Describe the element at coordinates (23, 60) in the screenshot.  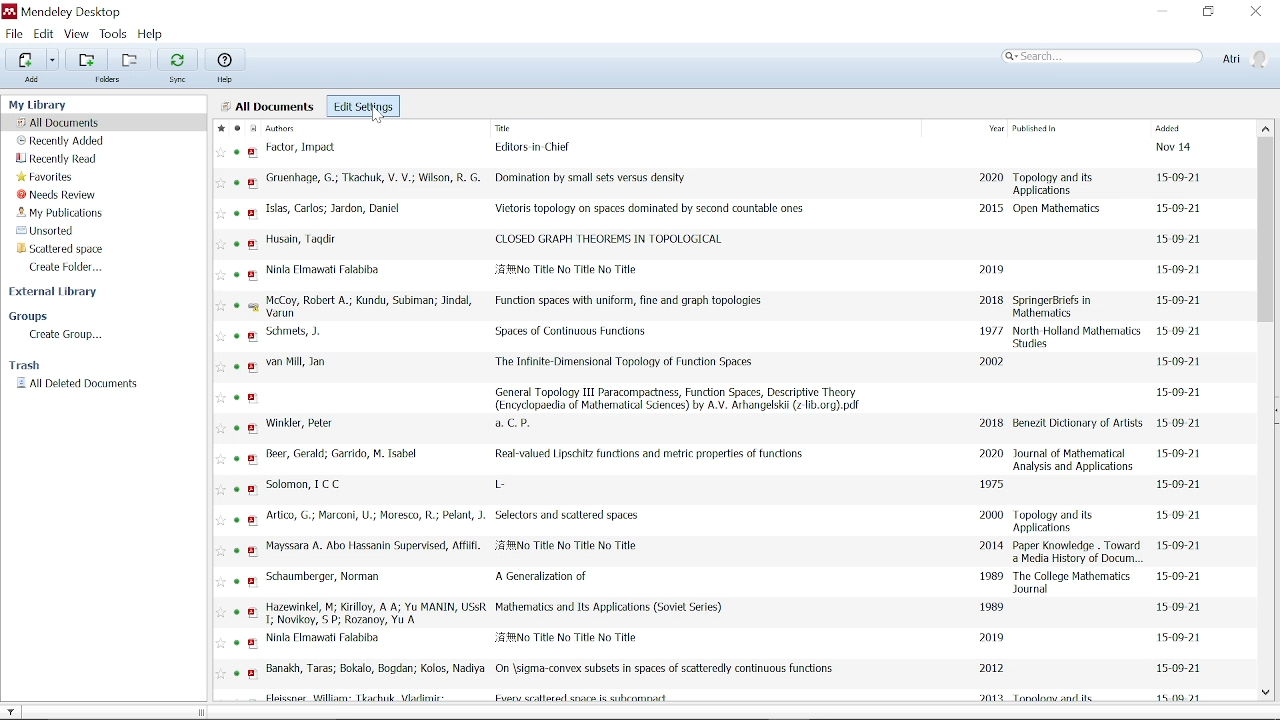
I see `Add files` at that location.